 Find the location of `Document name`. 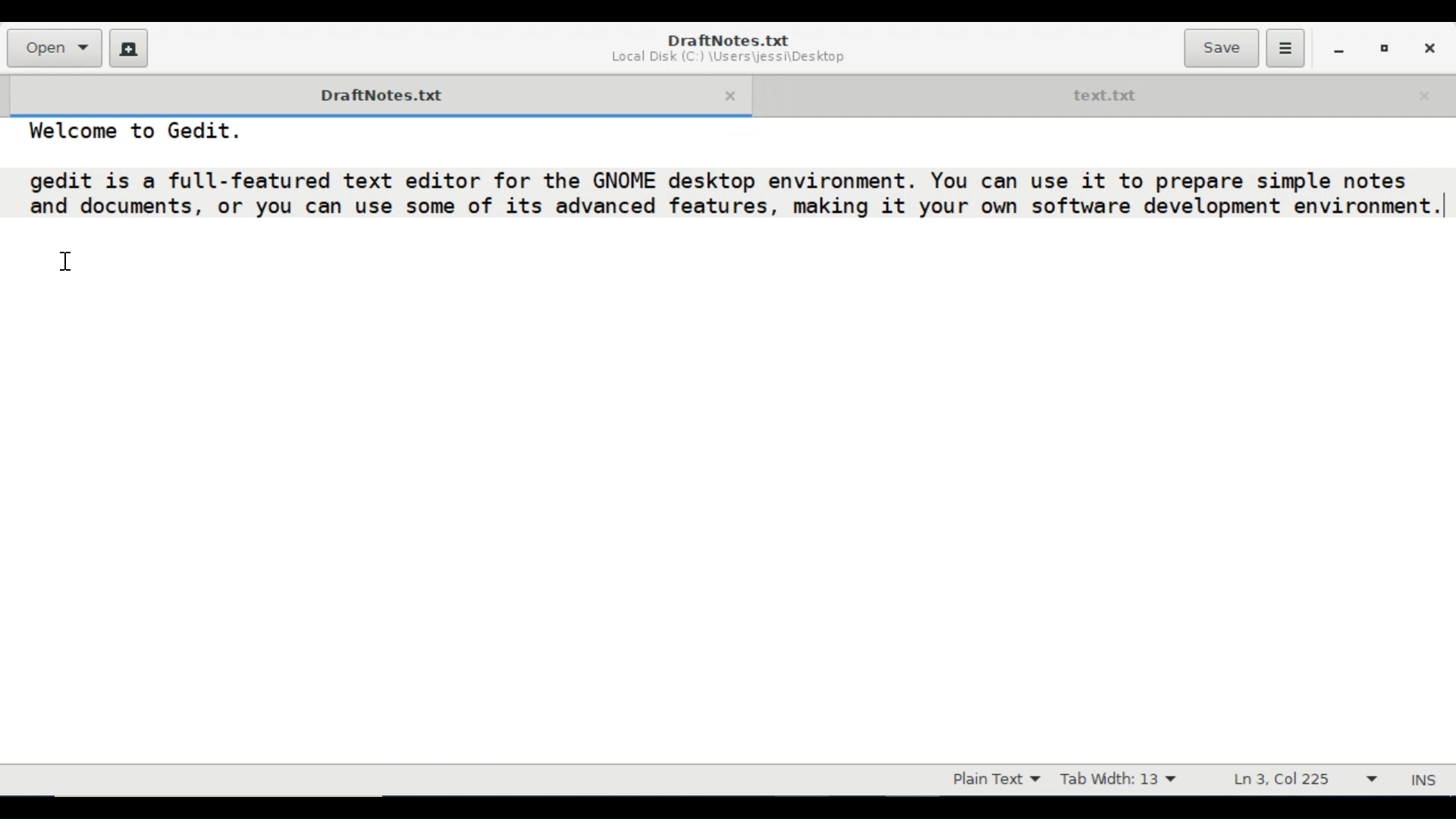

Document name is located at coordinates (730, 39).